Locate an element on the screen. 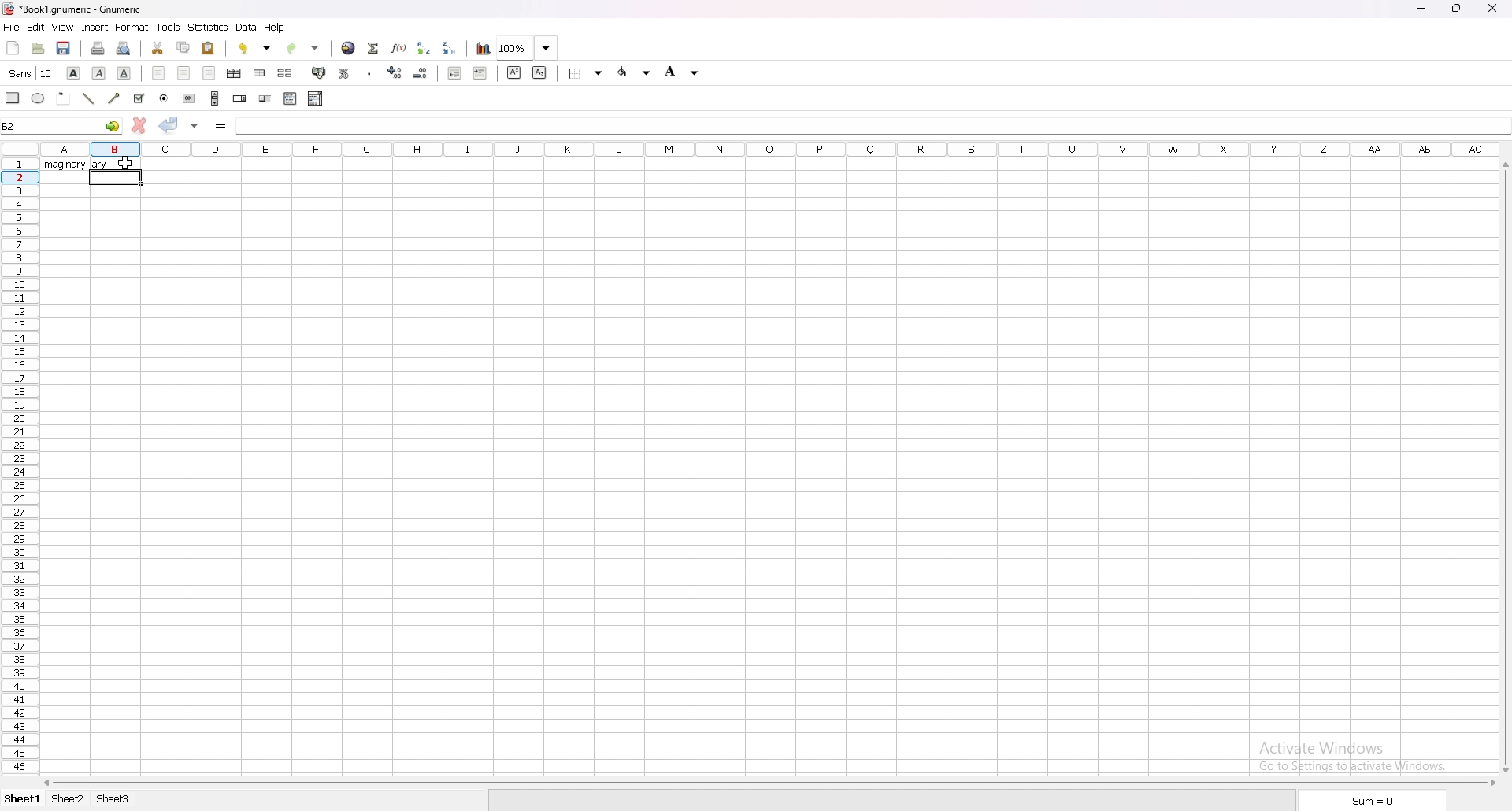  output is located at coordinates (101, 164).